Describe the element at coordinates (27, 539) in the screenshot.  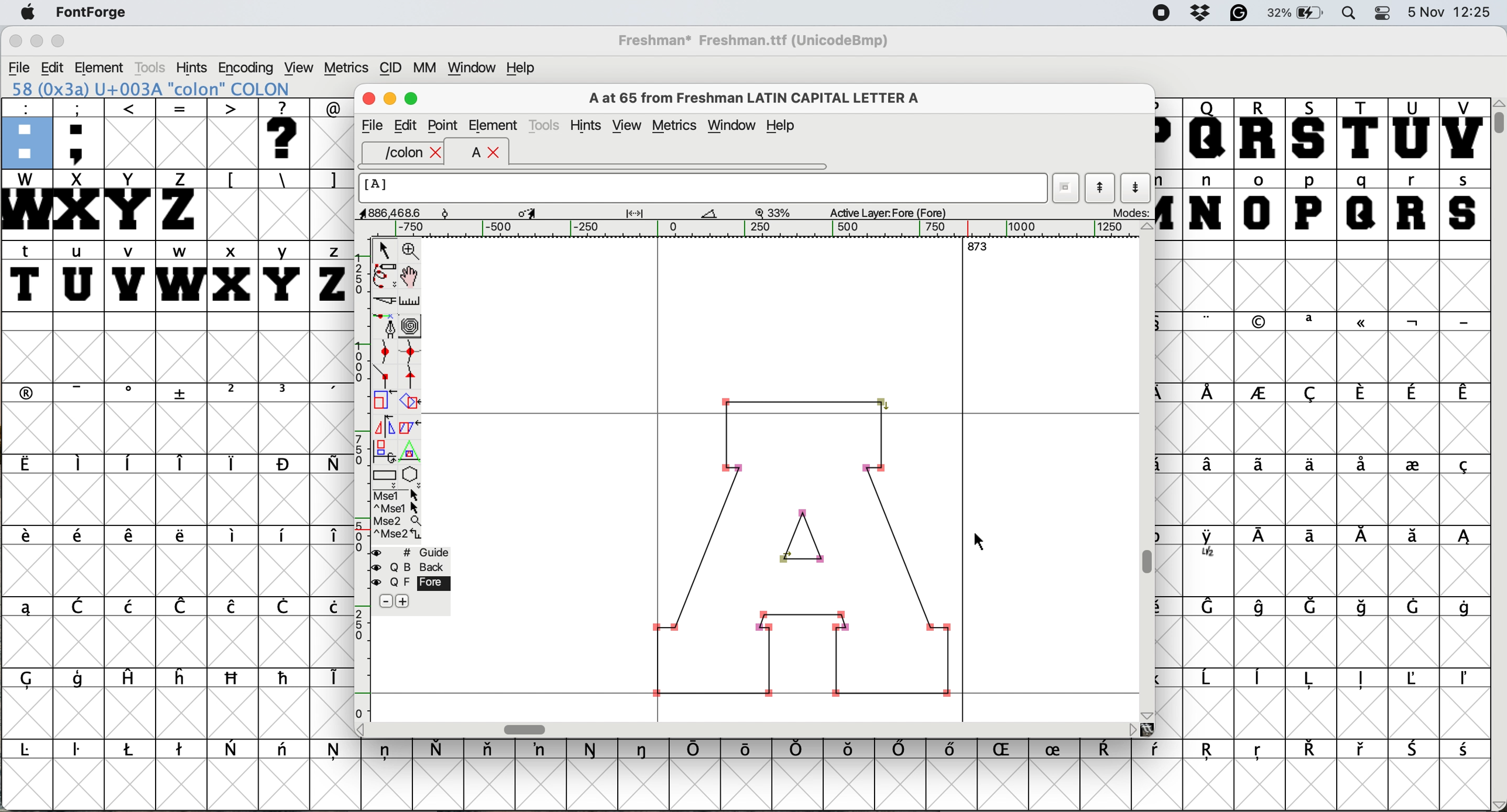
I see `symbol` at that location.